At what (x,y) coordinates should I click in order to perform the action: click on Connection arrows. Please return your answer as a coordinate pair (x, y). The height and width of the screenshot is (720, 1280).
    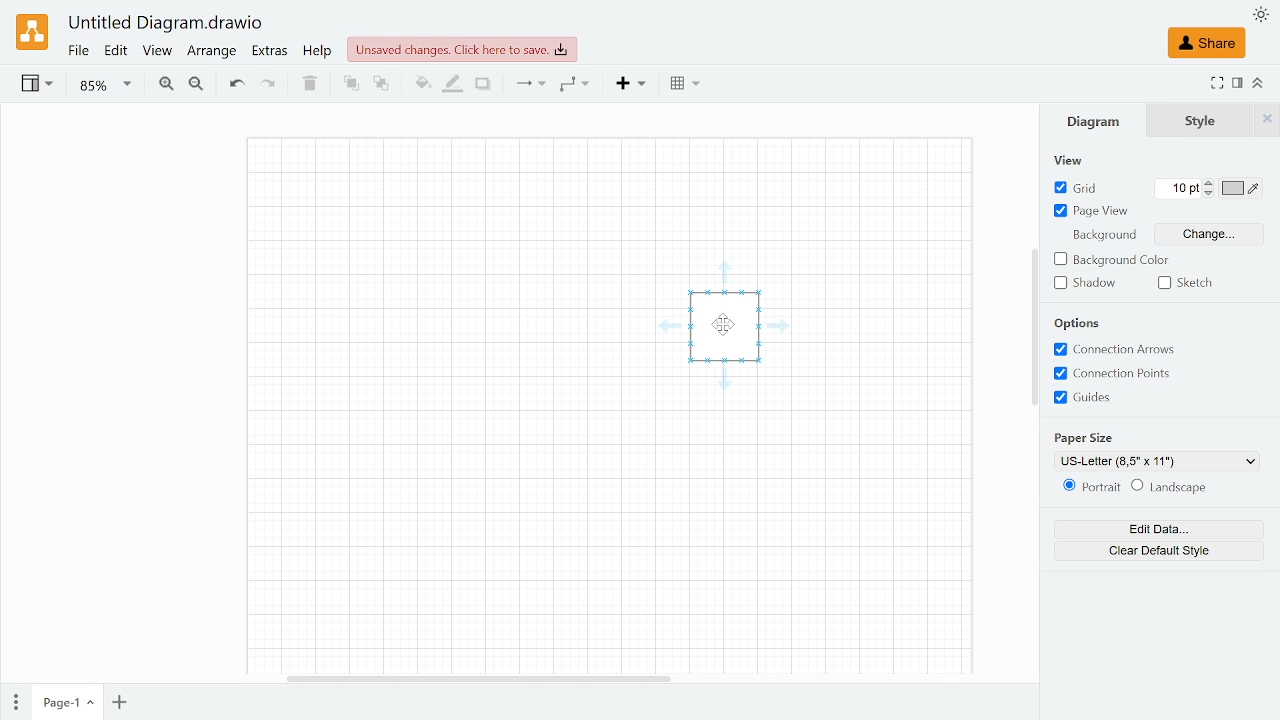
    Looking at the image, I should click on (1119, 350).